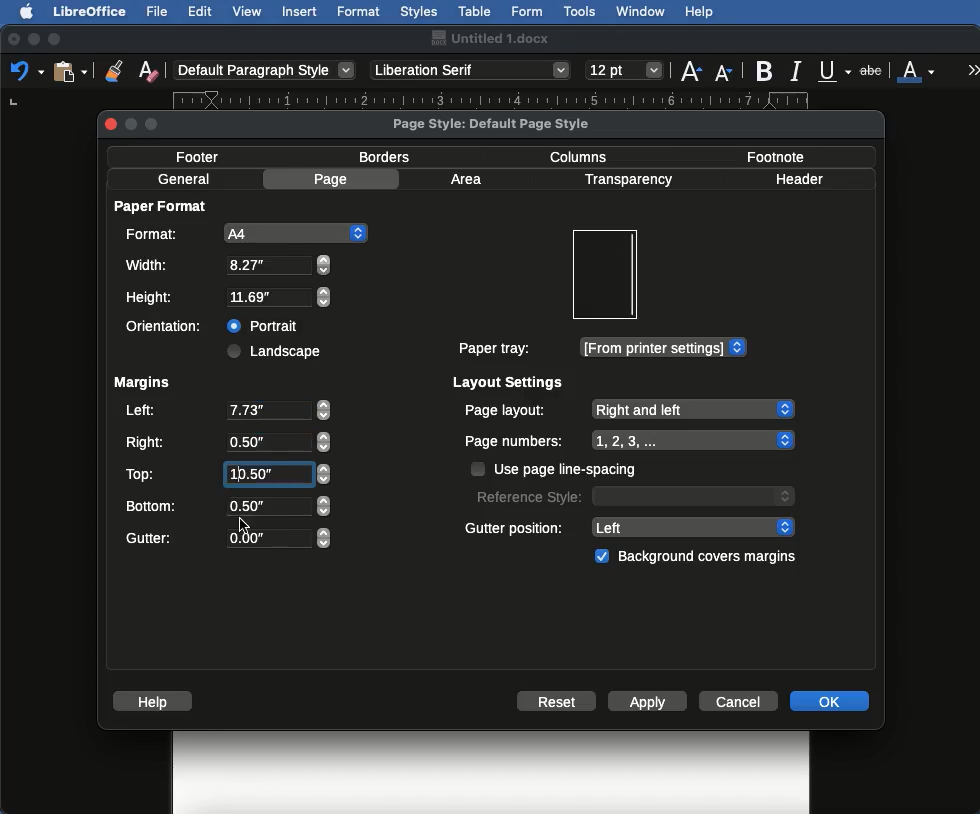 Image resolution: width=980 pixels, height=814 pixels. Describe the element at coordinates (799, 179) in the screenshot. I see `Header` at that location.